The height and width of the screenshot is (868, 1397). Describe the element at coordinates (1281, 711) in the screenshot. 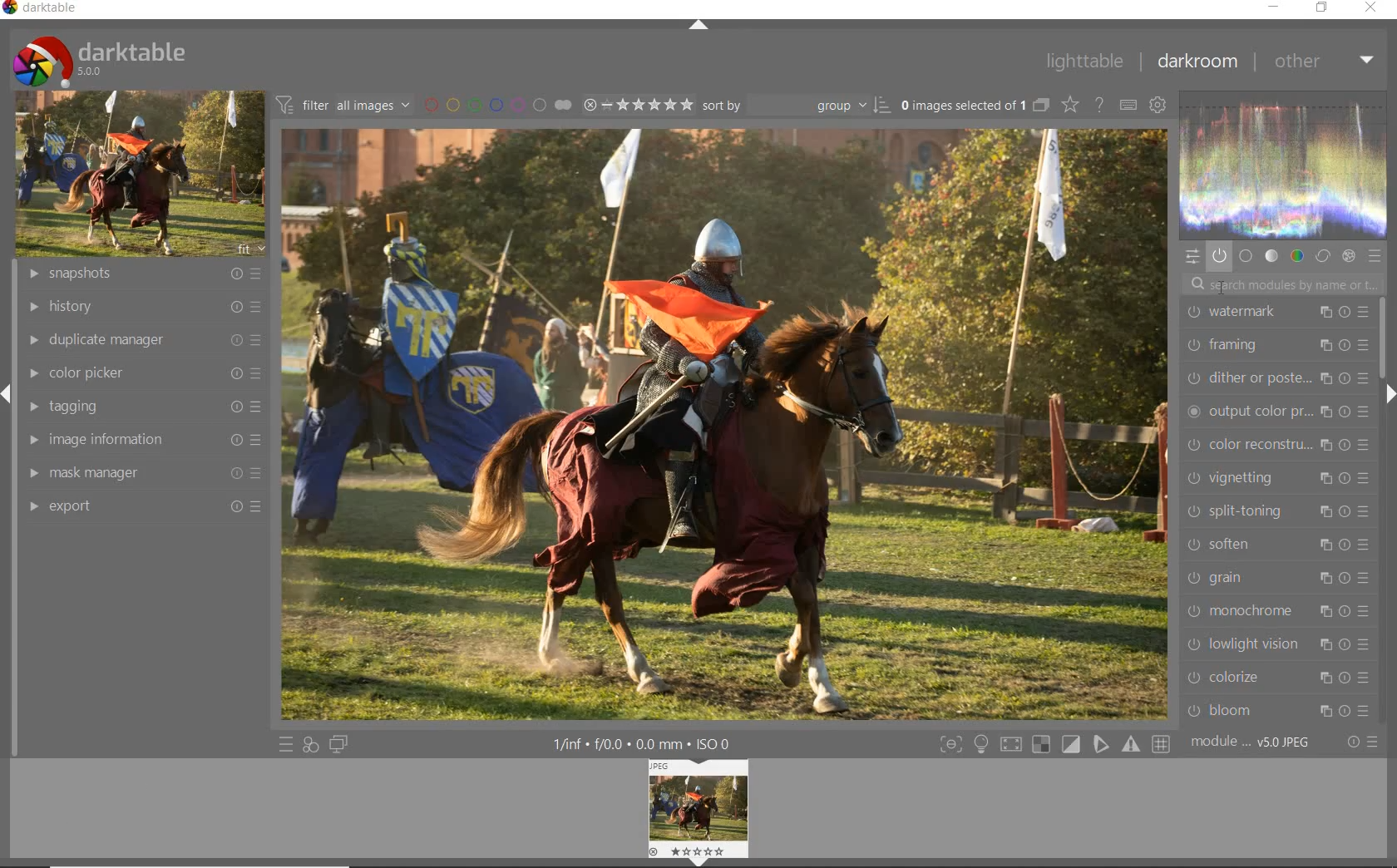

I see `bloom` at that location.